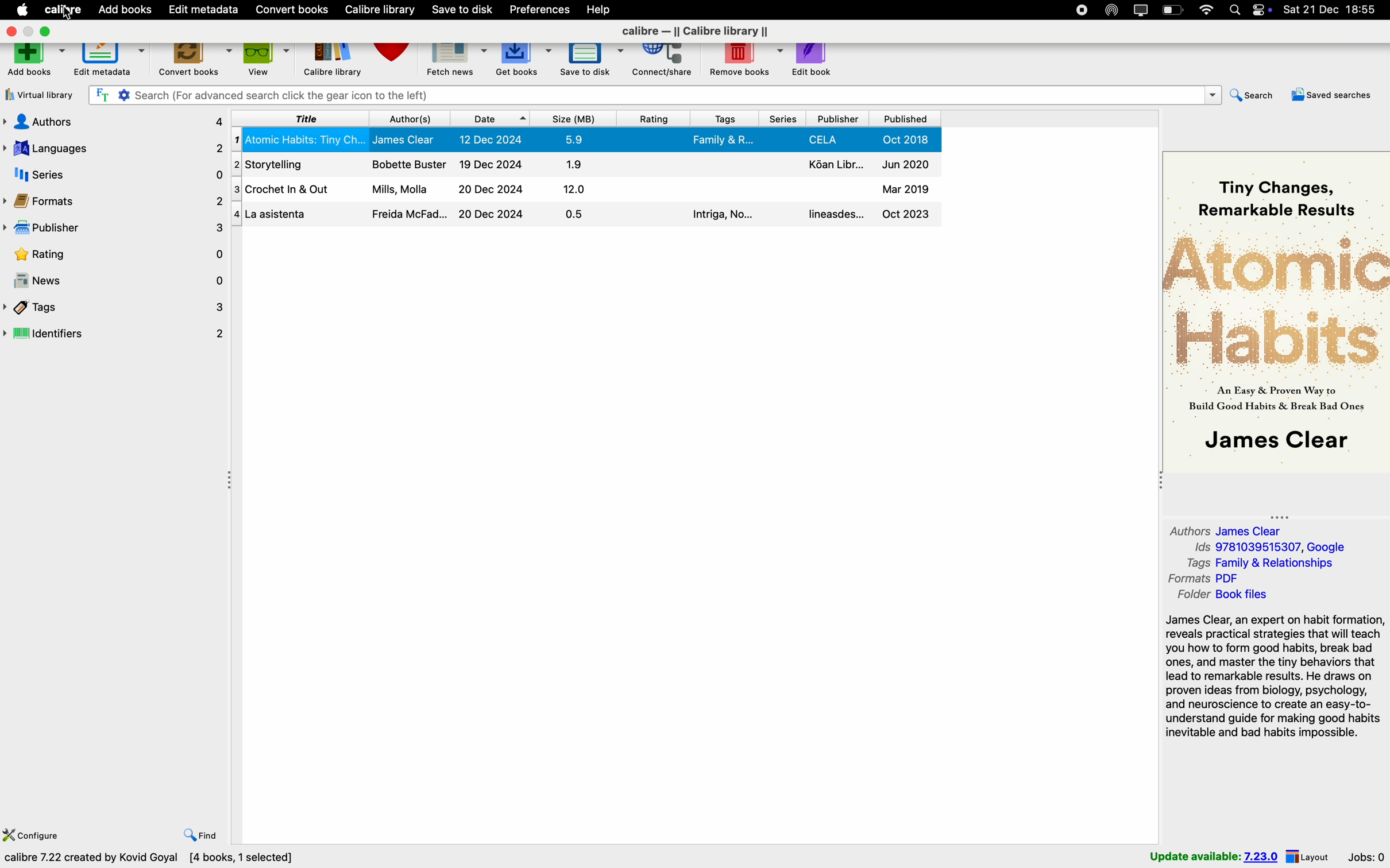 This screenshot has height=868, width=1390. Describe the element at coordinates (489, 119) in the screenshot. I see `date` at that location.